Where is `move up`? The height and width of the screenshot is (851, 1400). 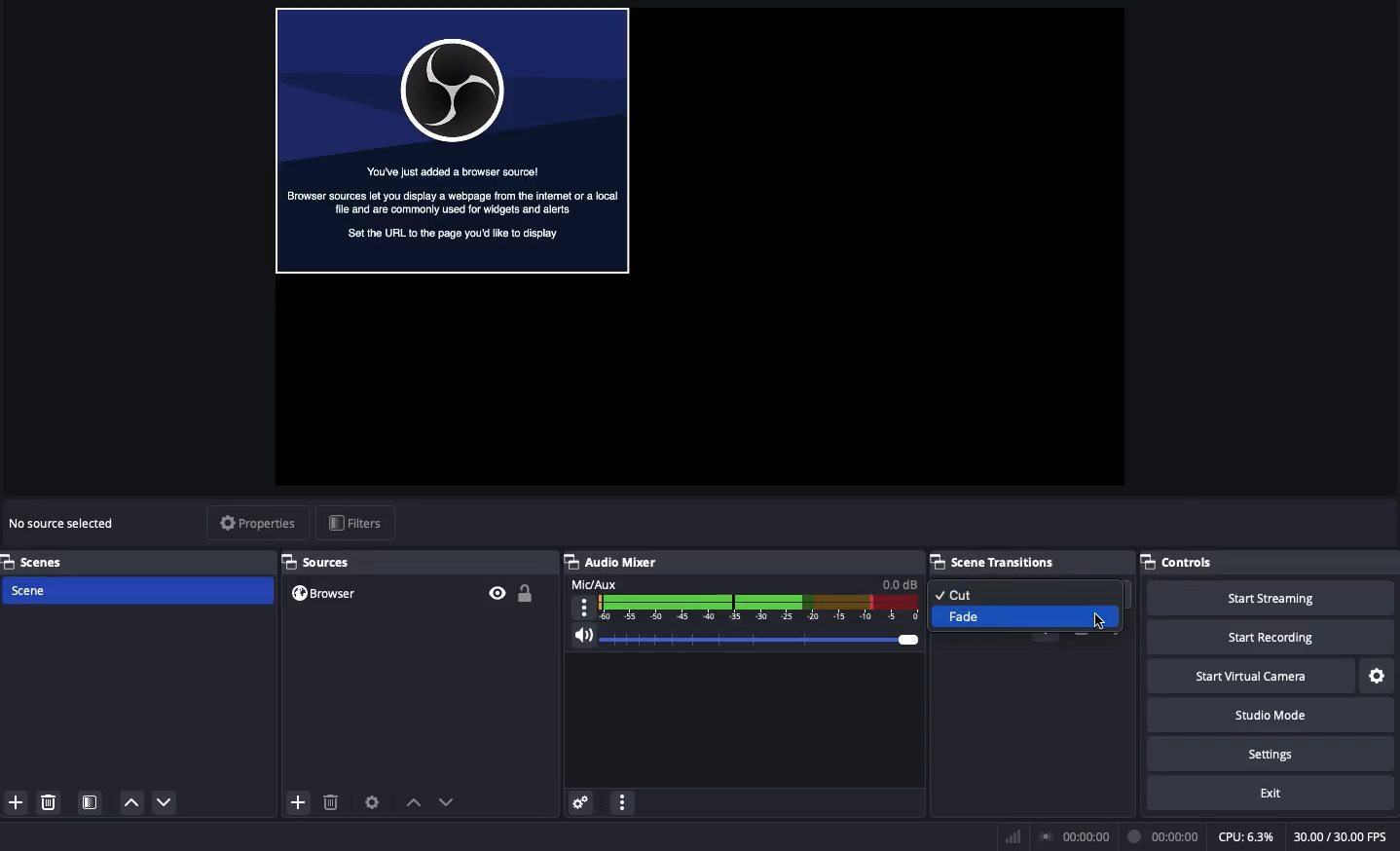 move up is located at coordinates (417, 804).